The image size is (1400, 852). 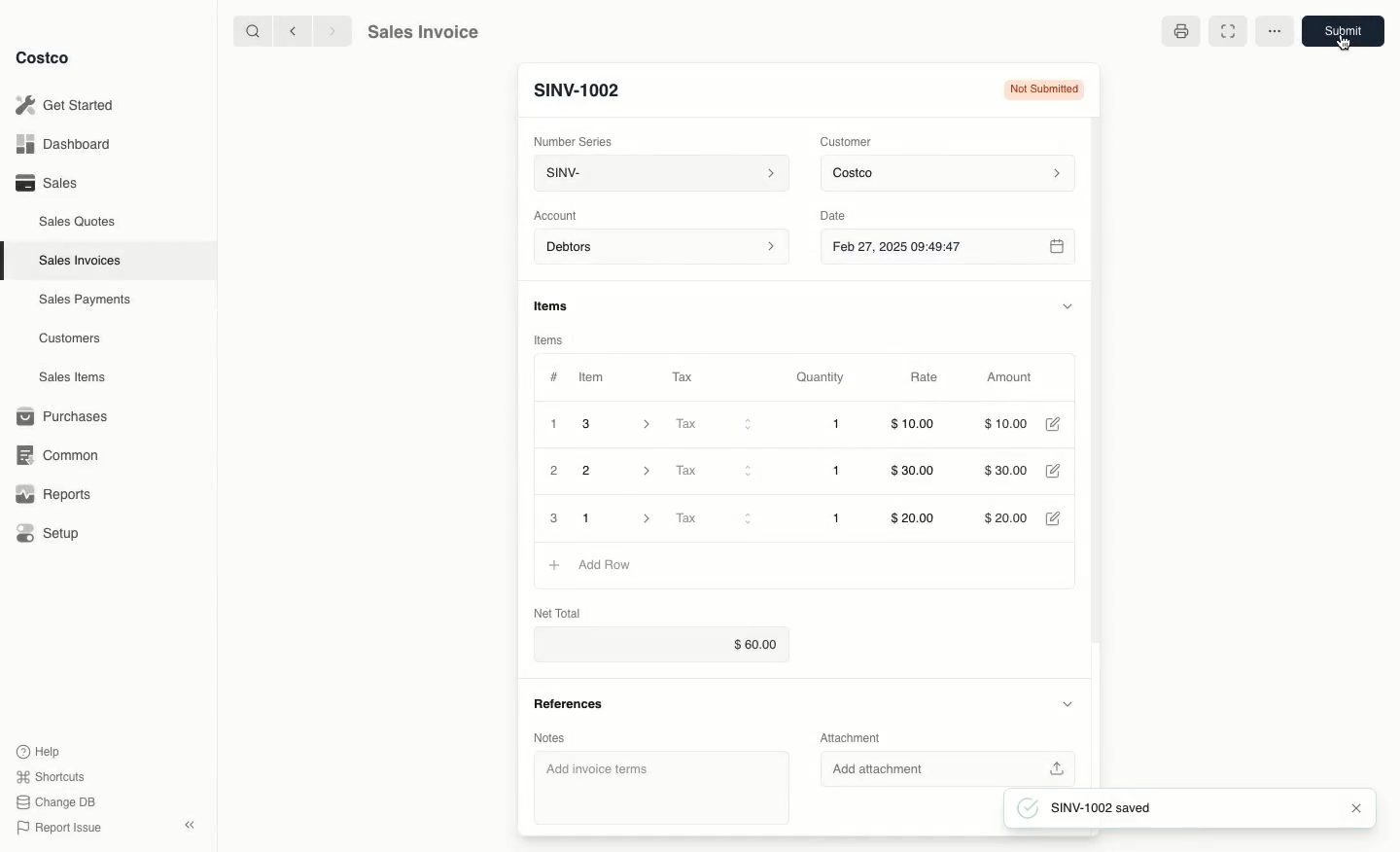 I want to click on forward, so click(x=330, y=30).